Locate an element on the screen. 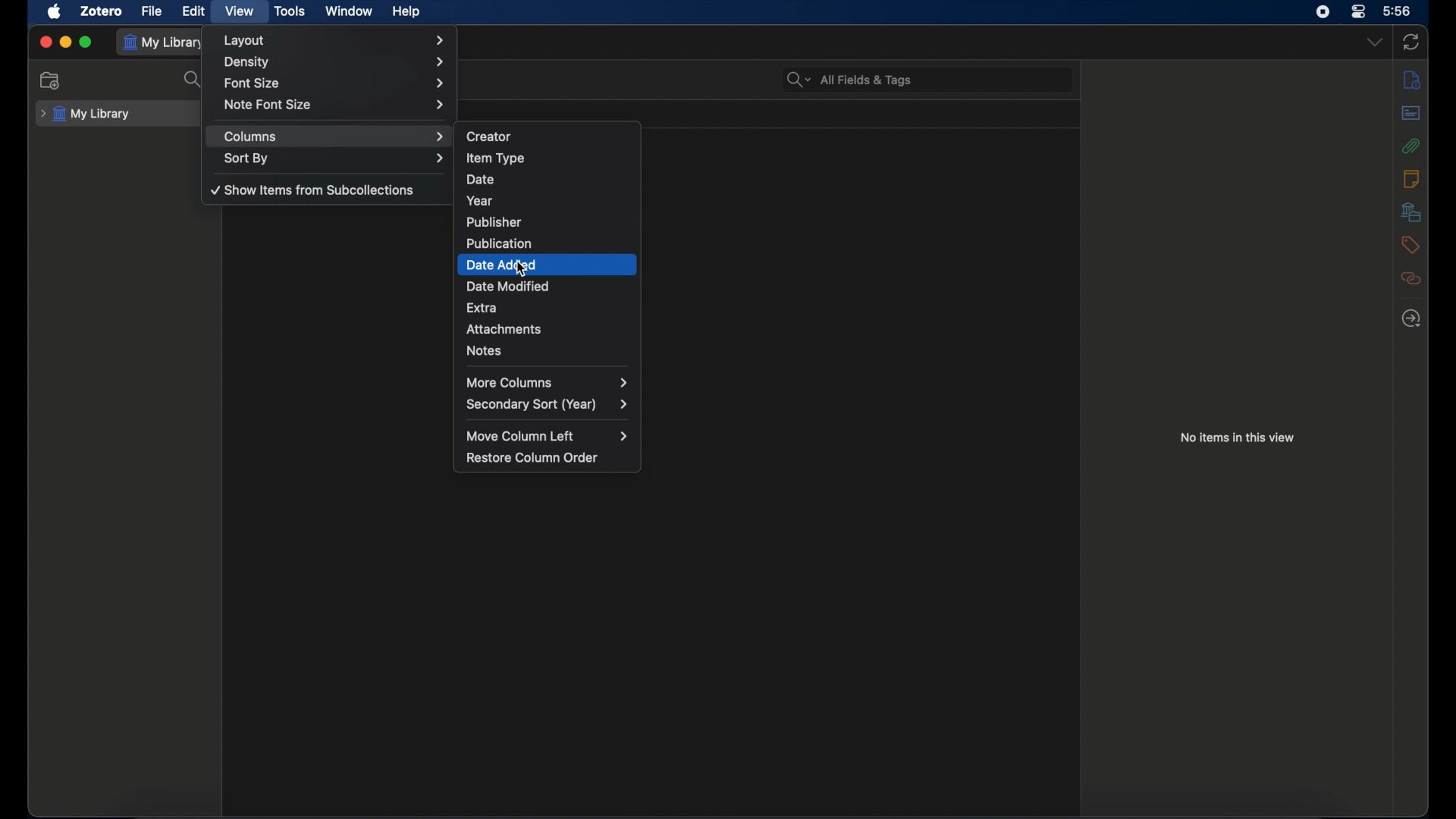 This screenshot has height=819, width=1456. info is located at coordinates (1411, 79).